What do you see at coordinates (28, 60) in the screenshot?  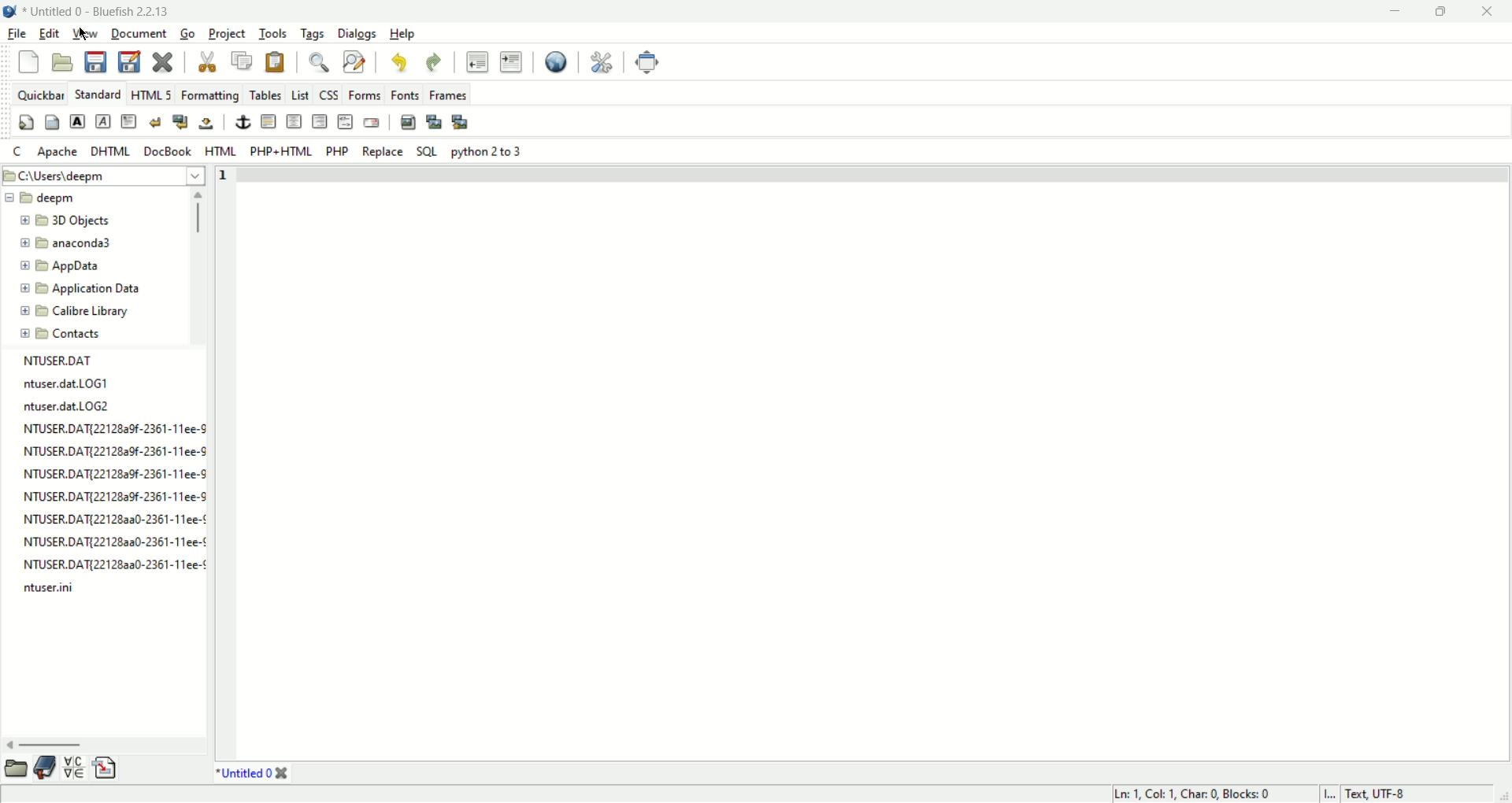 I see `new` at bounding box center [28, 60].